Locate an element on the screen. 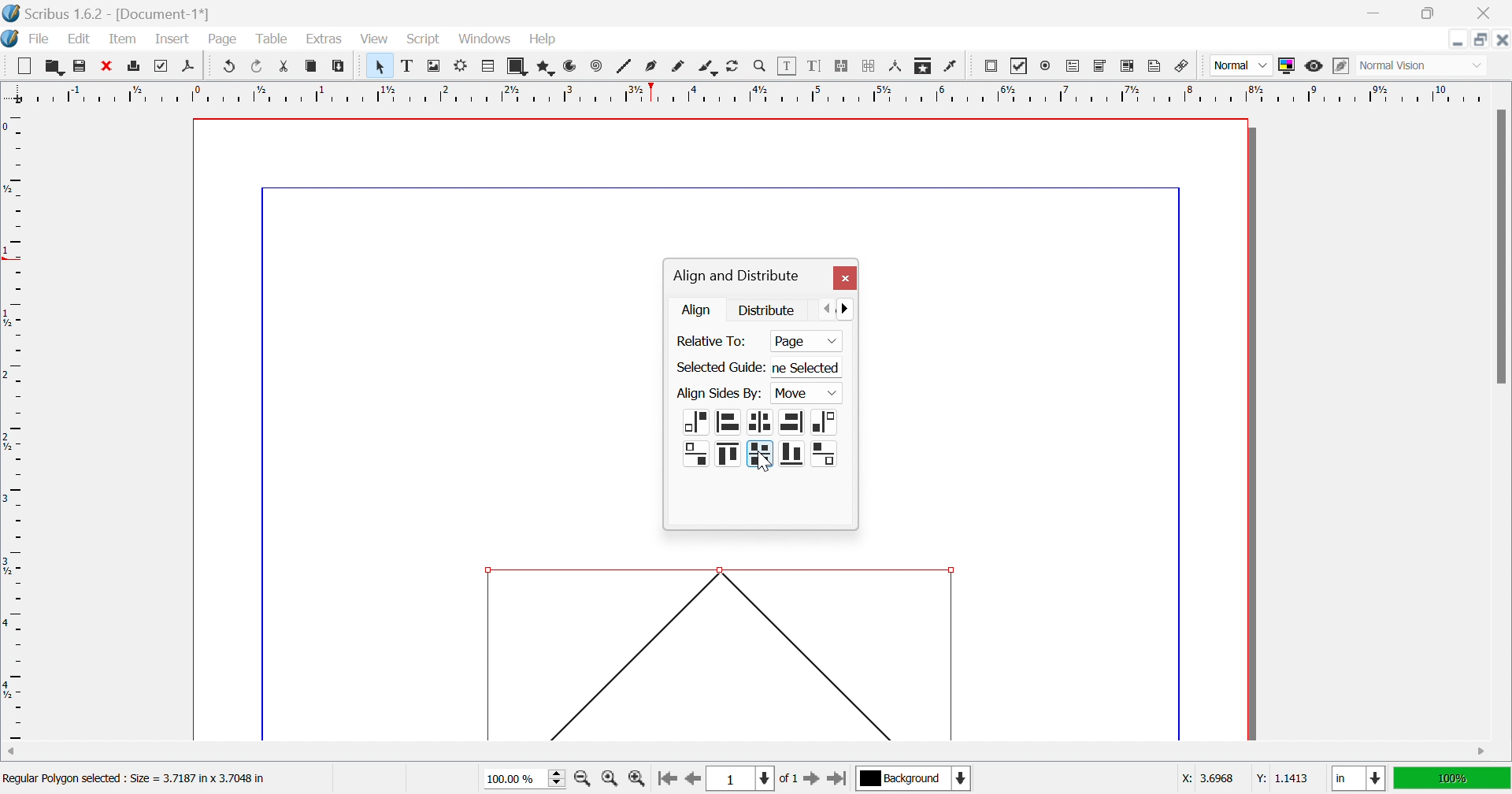  Copy item properties is located at coordinates (921, 67).